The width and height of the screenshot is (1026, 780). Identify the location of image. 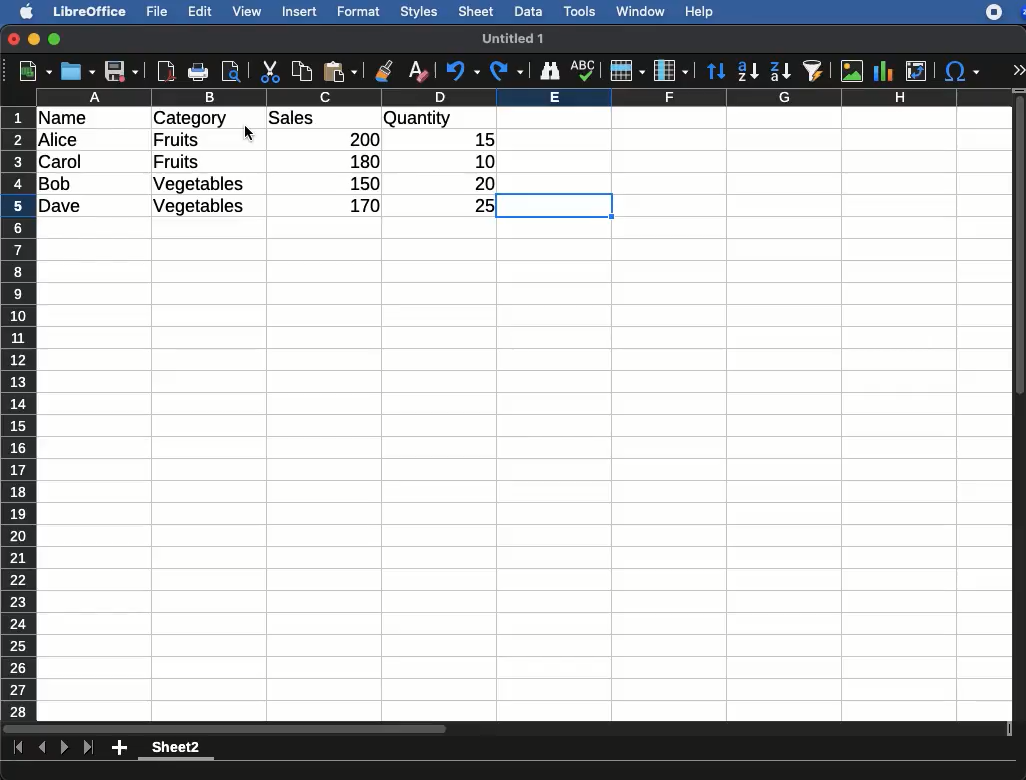
(854, 71).